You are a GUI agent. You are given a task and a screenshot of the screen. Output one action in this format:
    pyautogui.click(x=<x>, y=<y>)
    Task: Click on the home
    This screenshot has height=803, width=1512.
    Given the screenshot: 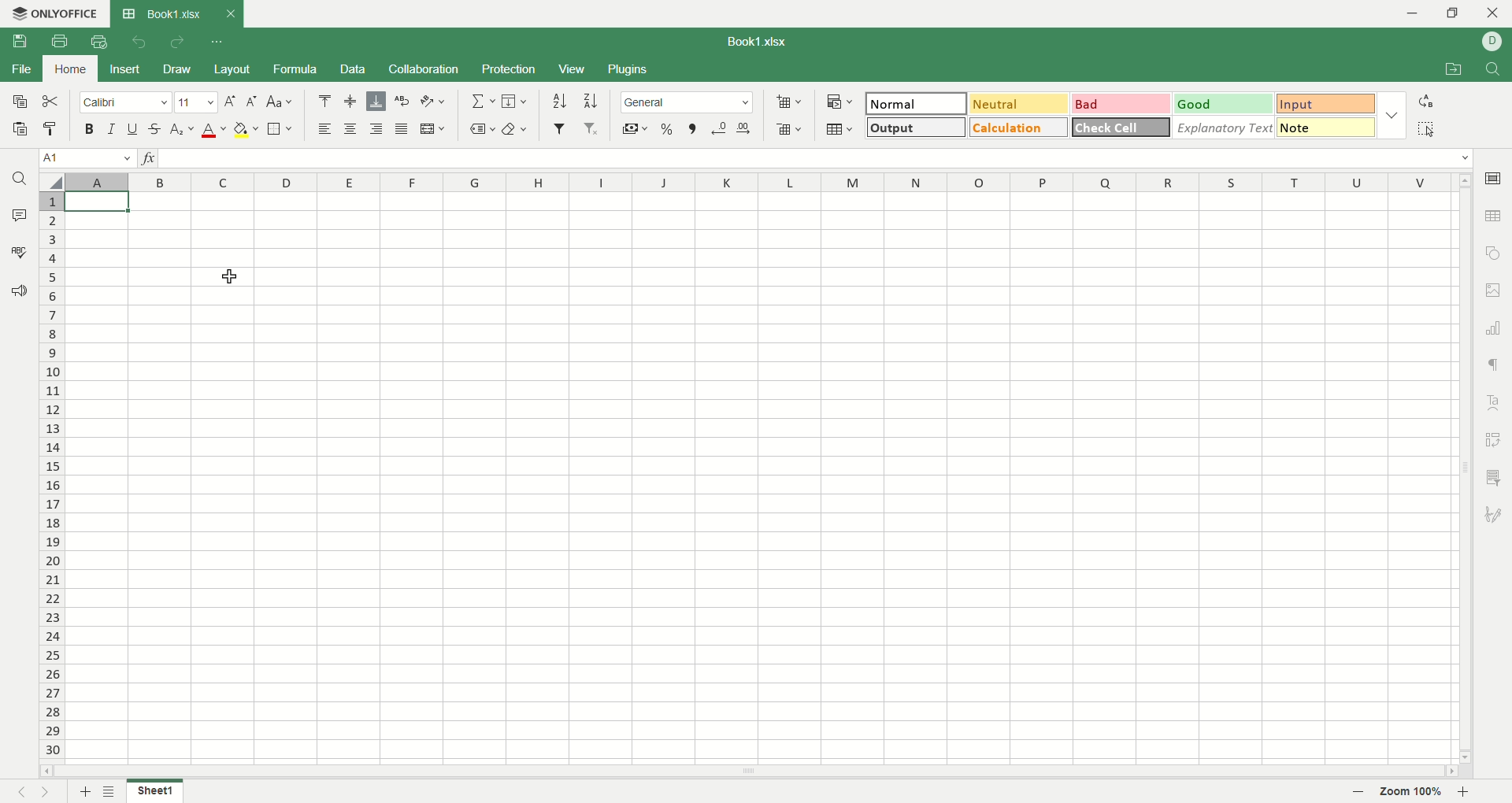 What is the action you would take?
    pyautogui.click(x=72, y=68)
    